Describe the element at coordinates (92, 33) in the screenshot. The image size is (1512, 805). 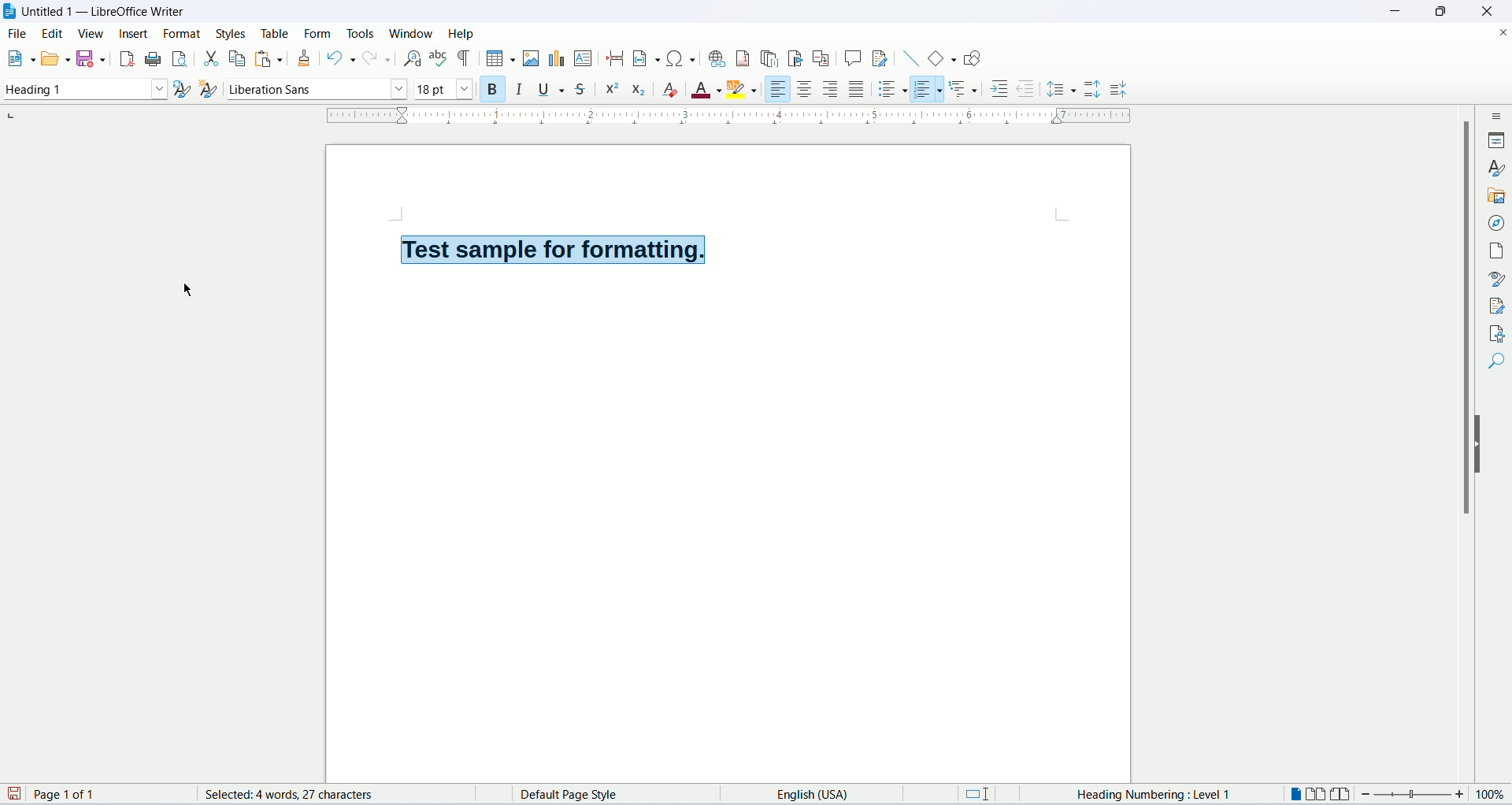
I see `view` at that location.